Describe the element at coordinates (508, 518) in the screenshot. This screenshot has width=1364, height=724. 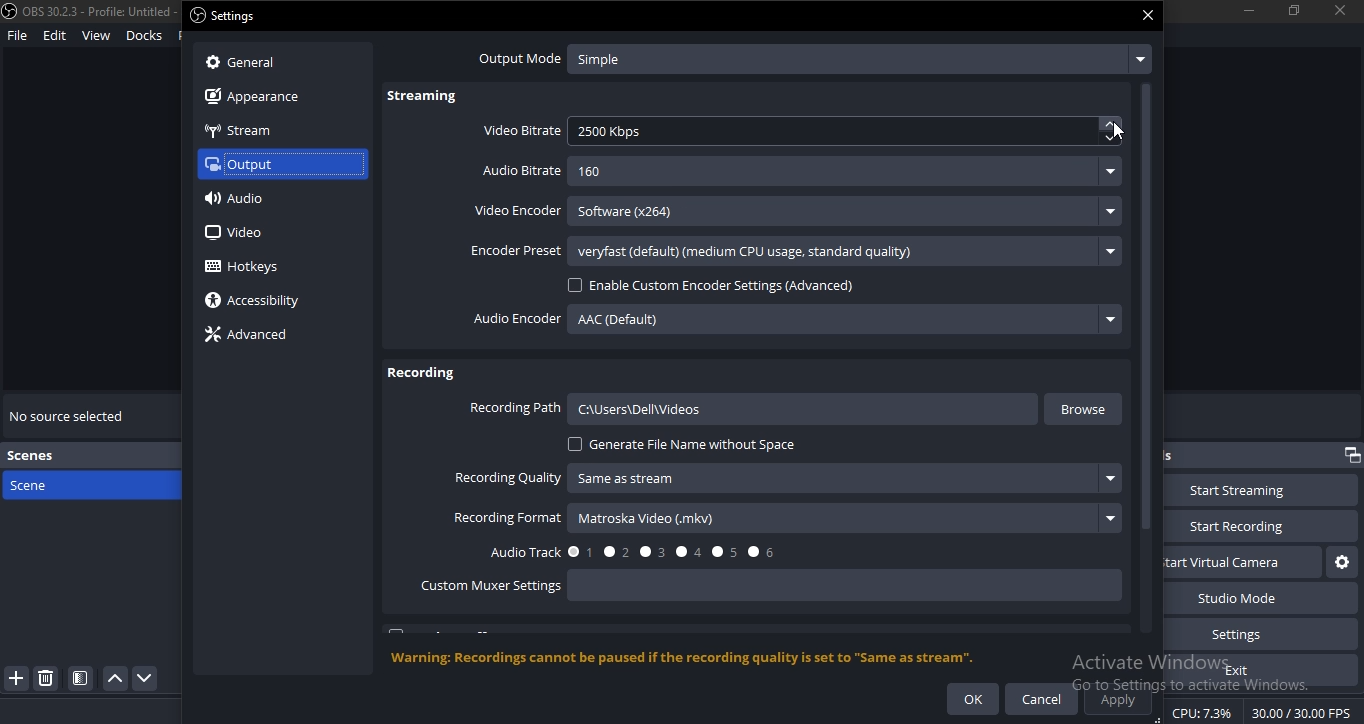
I see `recording format` at that location.